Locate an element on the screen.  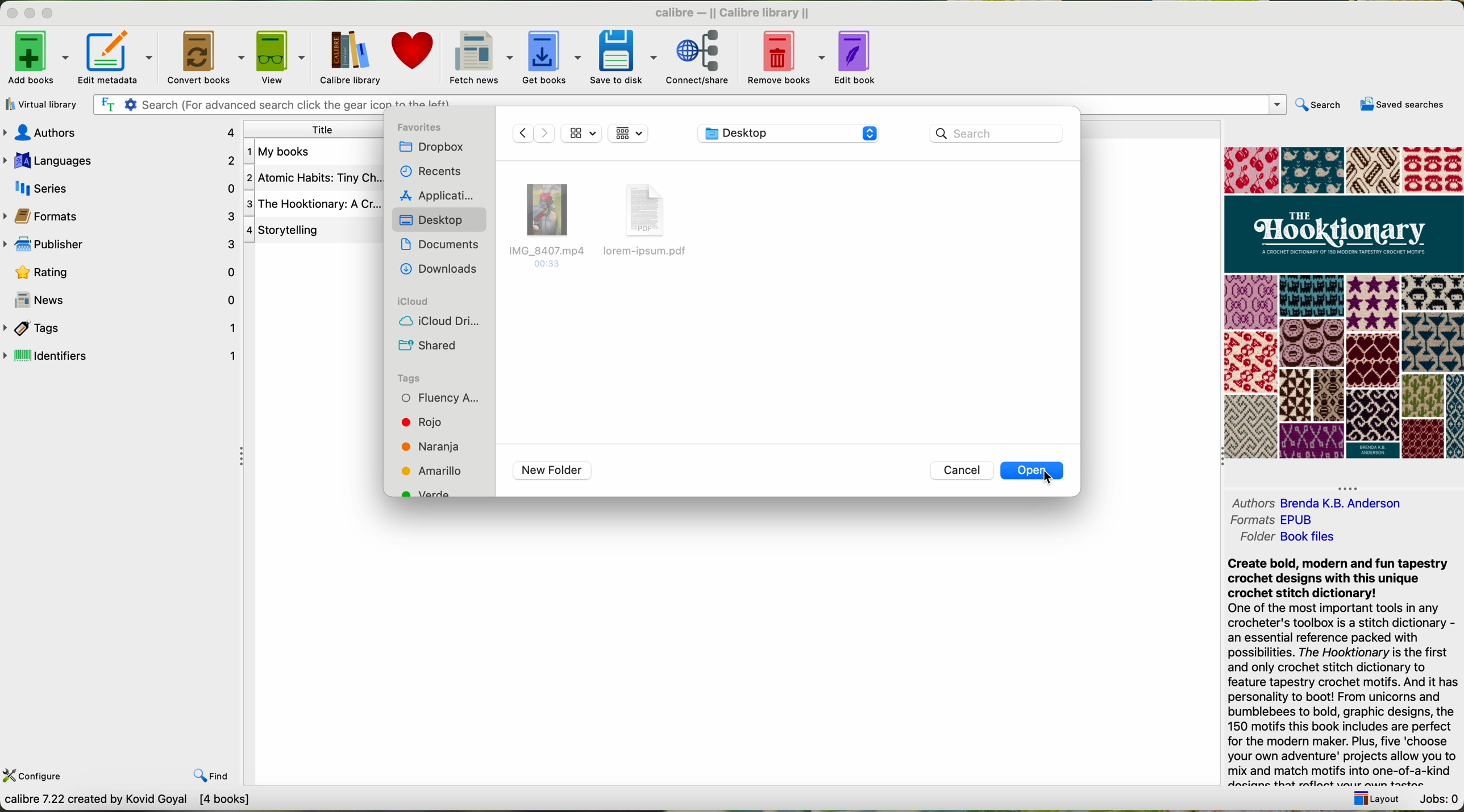
find is located at coordinates (212, 773).